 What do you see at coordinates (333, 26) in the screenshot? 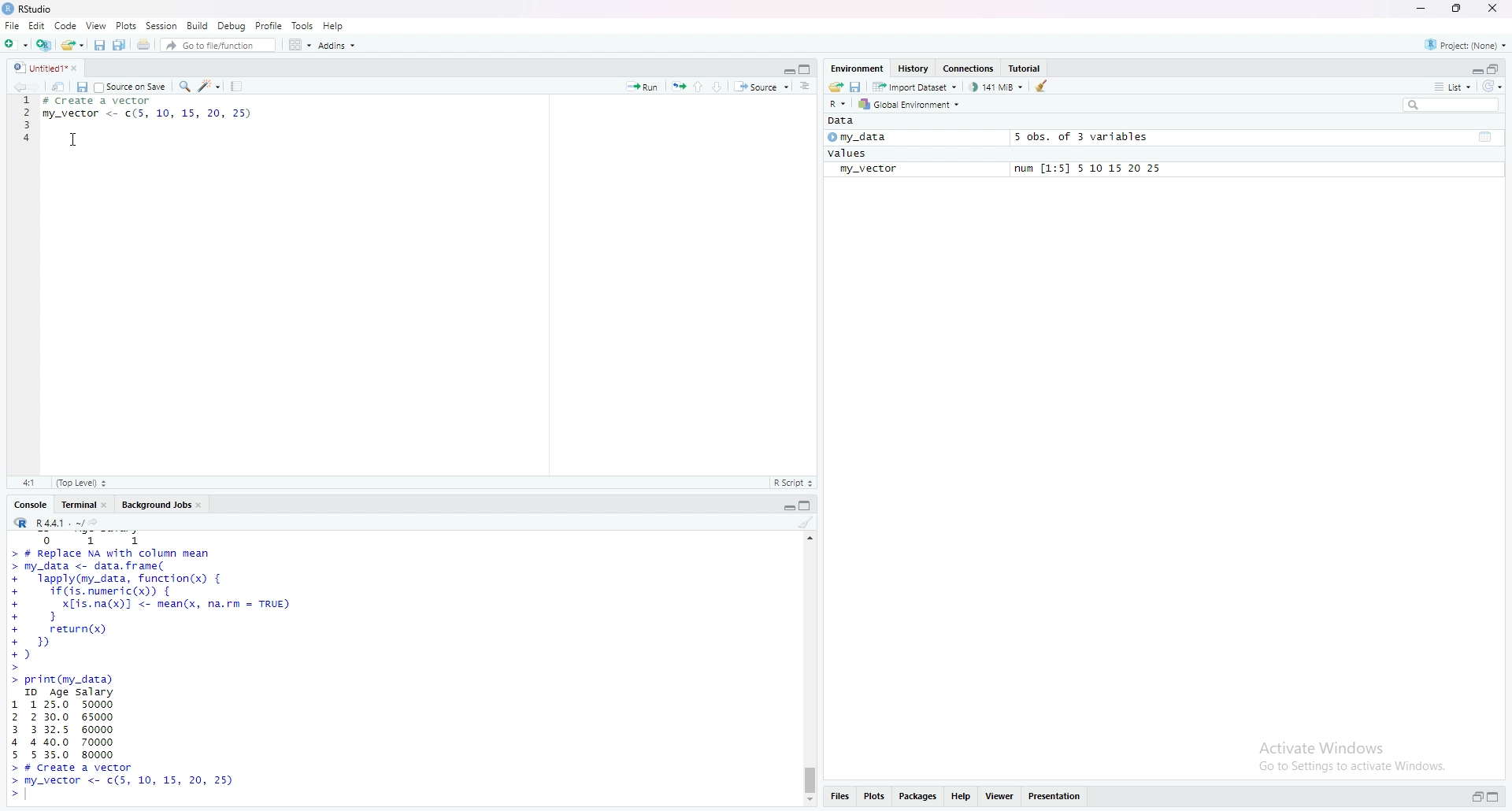
I see `help` at bounding box center [333, 26].